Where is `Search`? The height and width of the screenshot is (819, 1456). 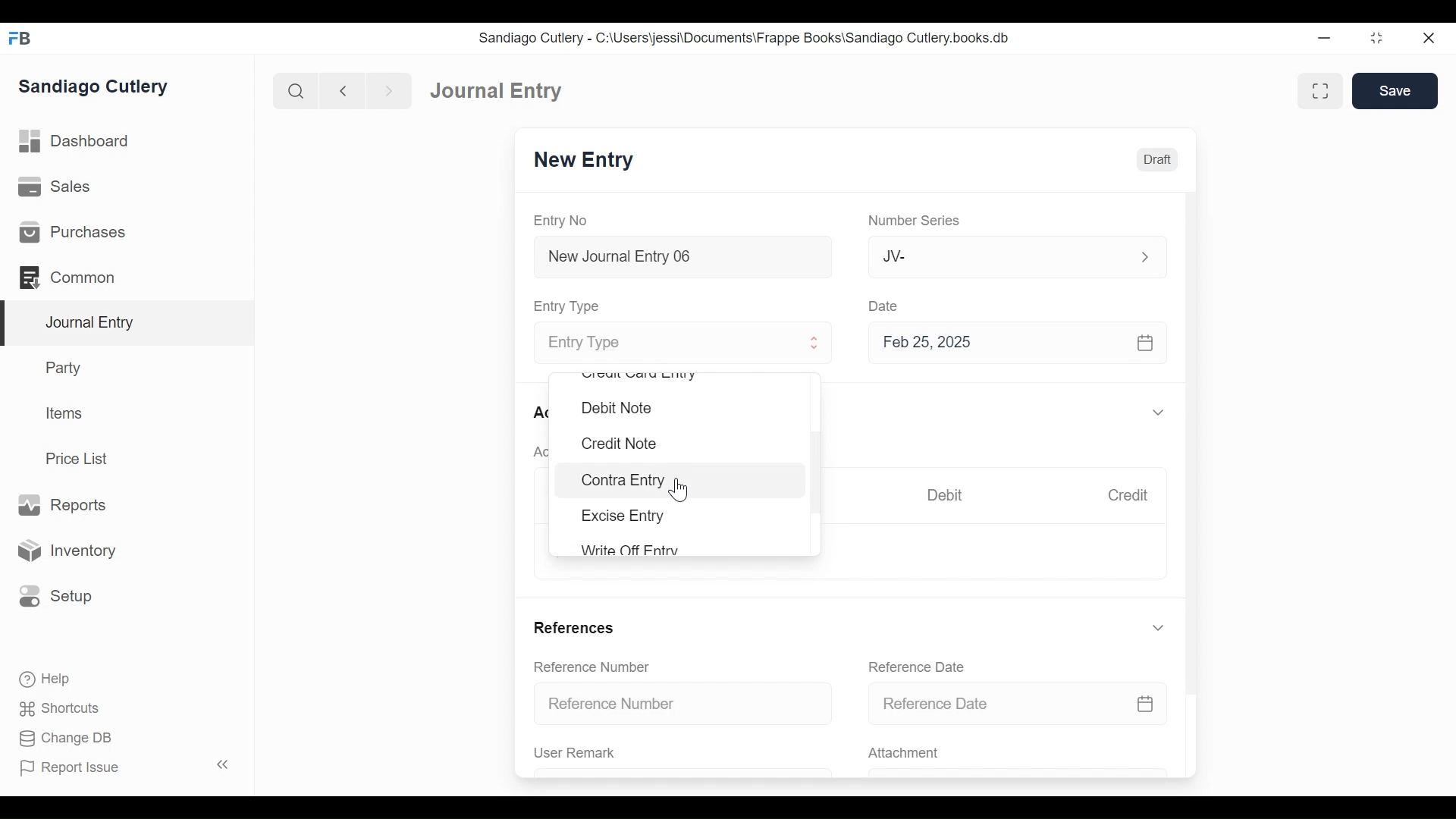 Search is located at coordinates (297, 91).